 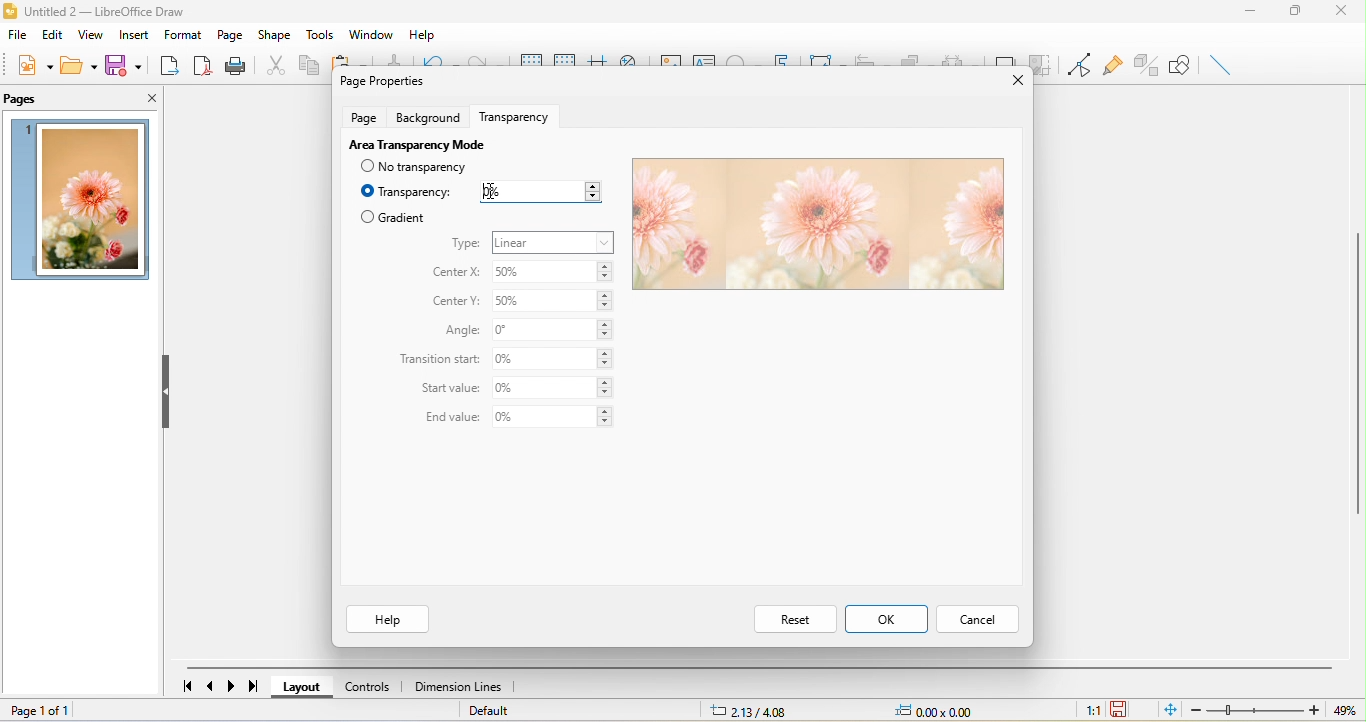 I want to click on start value, so click(x=451, y=390).